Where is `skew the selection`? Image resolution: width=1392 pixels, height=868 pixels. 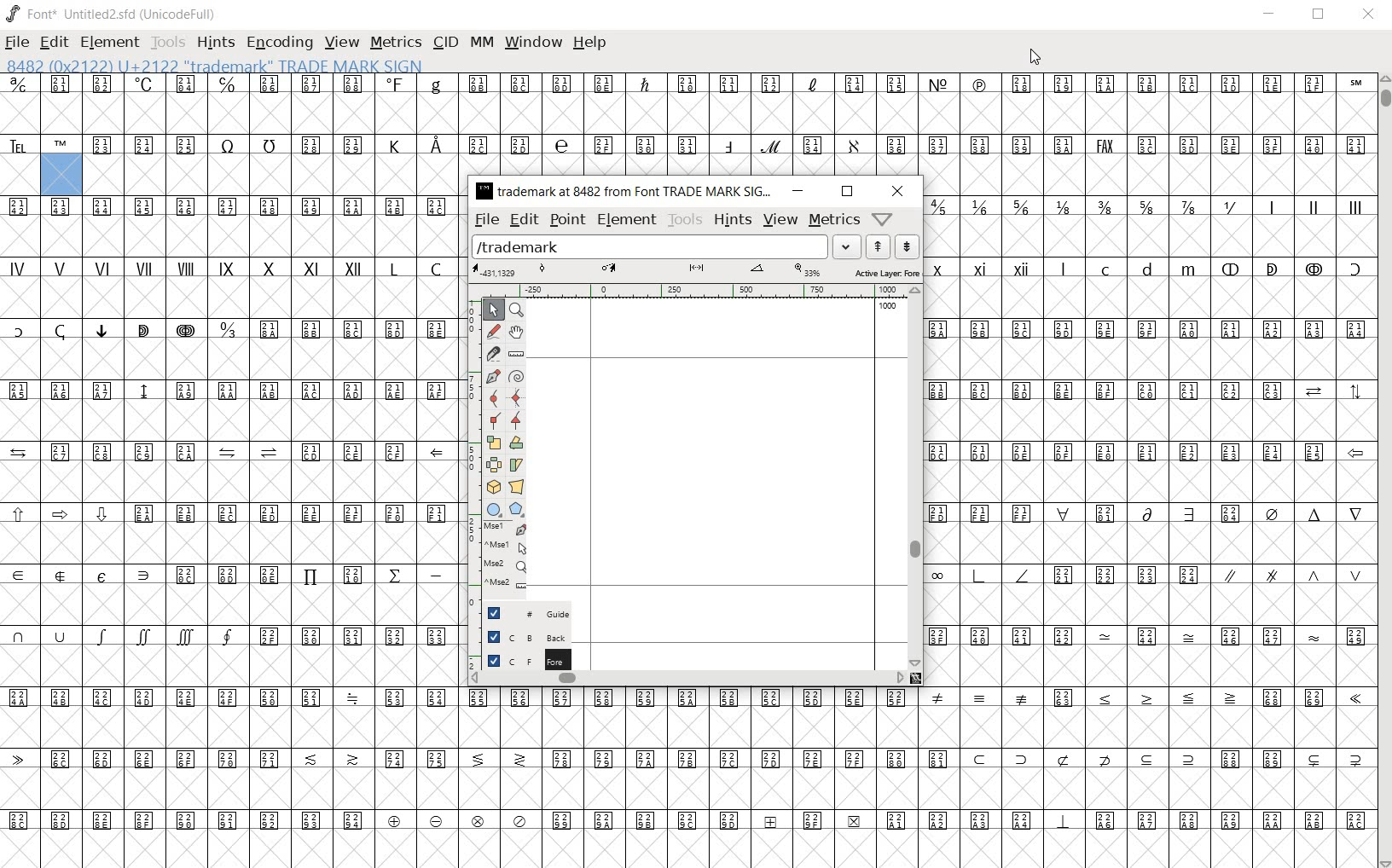
skew the selection is located at coordinates (519, 465).